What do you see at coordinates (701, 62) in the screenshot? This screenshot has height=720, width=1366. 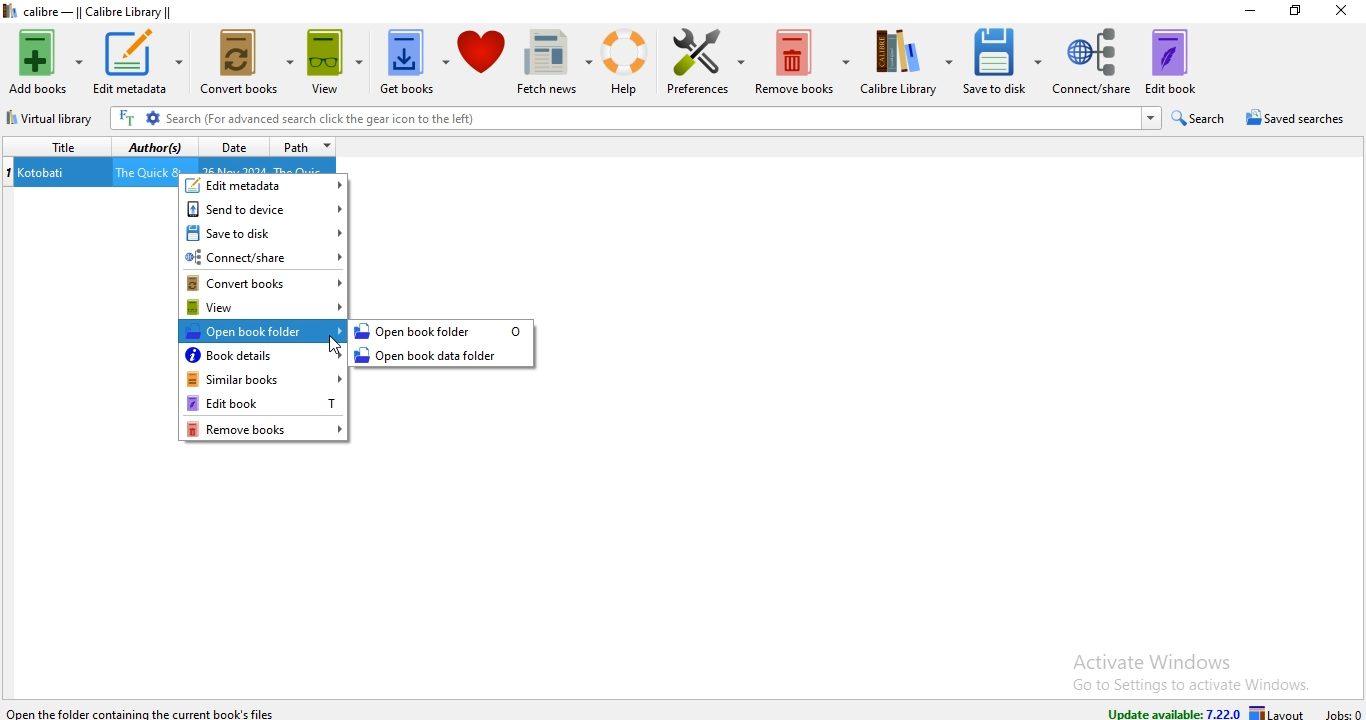 I see `preference` at bounding box center [701, 62].